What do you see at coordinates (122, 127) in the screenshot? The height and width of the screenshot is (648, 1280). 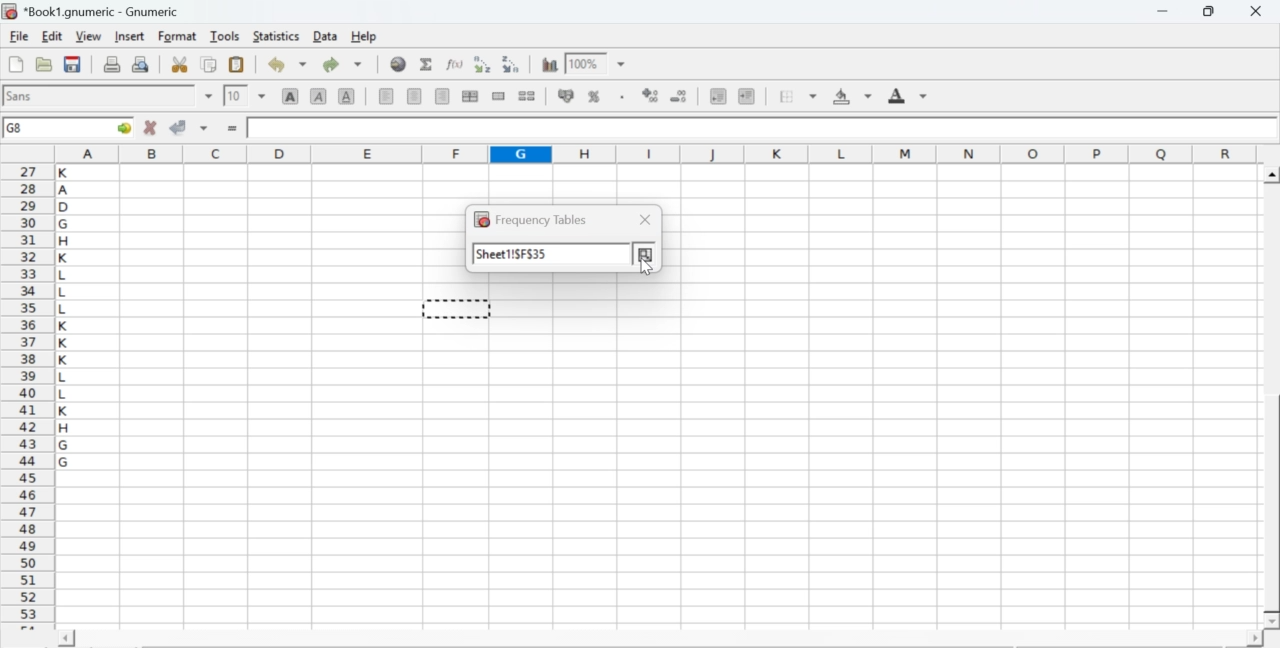 I see `go to` at bounding box center [122, 127].